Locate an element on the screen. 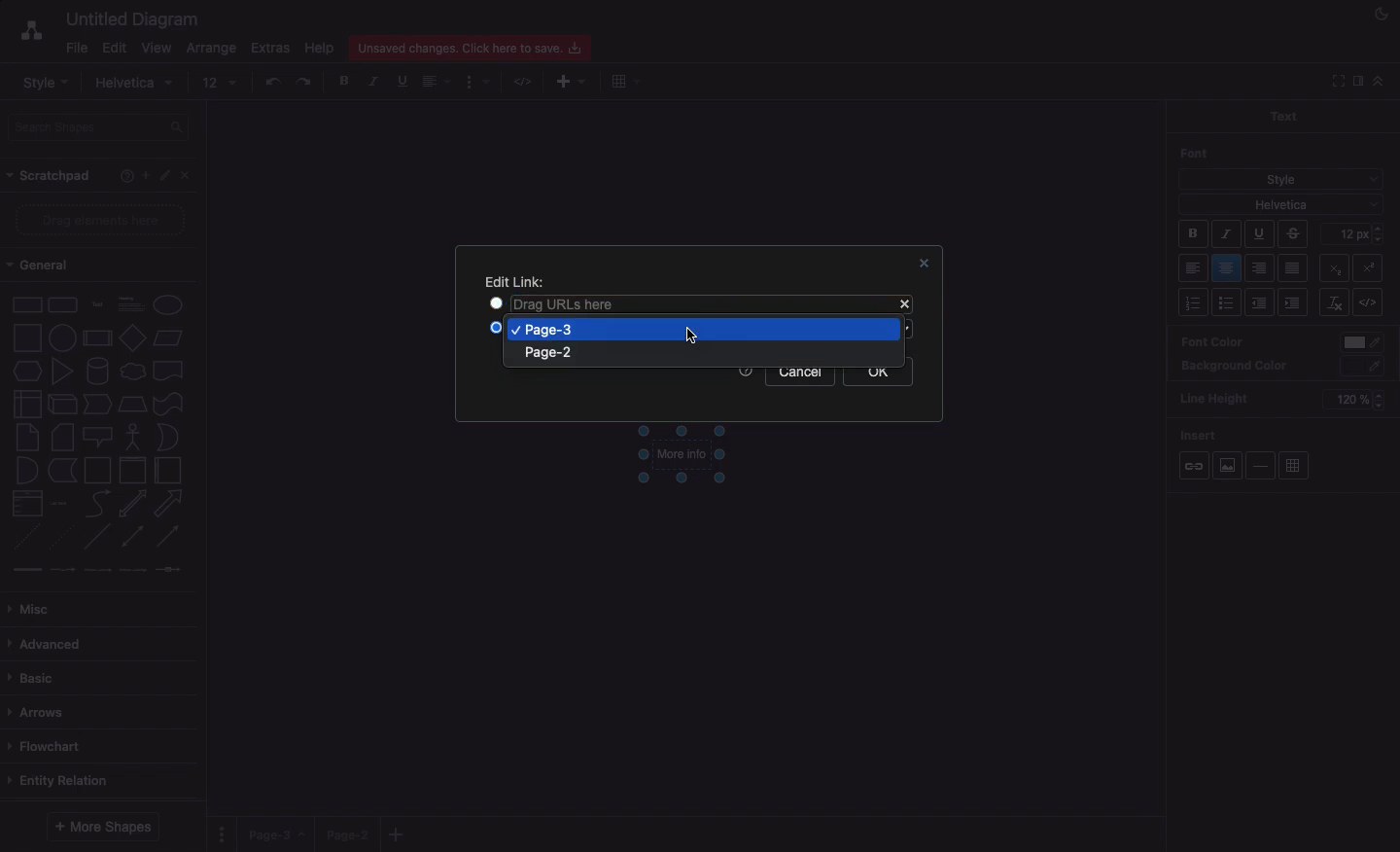  Link is located at coordinates (1194, 467).